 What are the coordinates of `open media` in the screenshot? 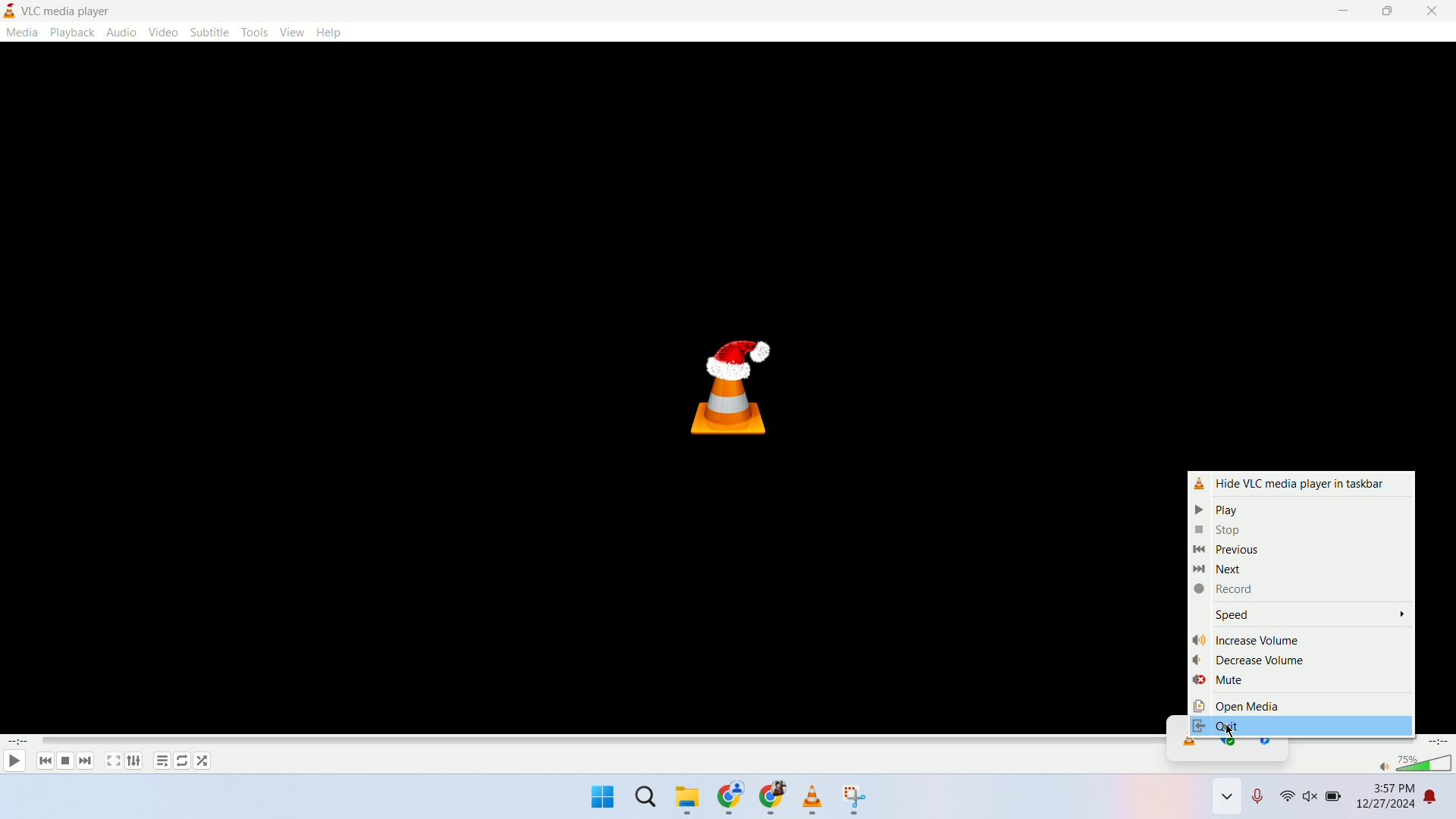 It's located at (1299, 704).